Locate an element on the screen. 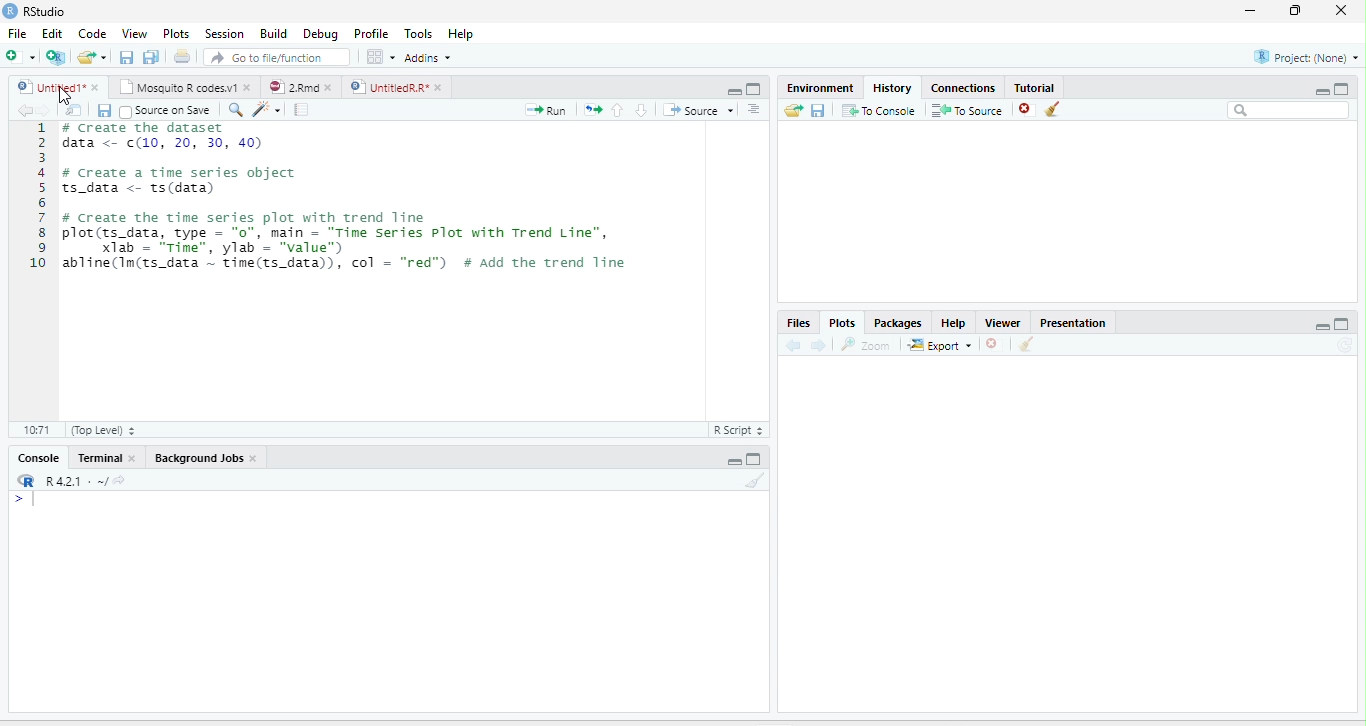  To Console is located at coordinates (878, 110).